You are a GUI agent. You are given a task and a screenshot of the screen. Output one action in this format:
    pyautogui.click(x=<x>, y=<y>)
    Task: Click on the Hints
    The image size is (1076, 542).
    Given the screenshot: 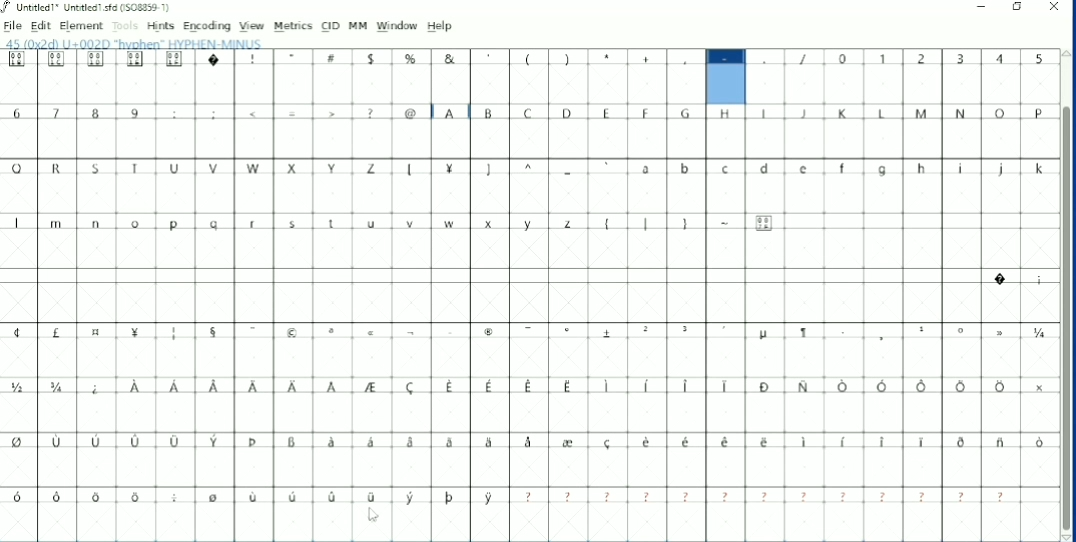 What is the action you would take?
    pyautogui.click(x=160, y=26)
    